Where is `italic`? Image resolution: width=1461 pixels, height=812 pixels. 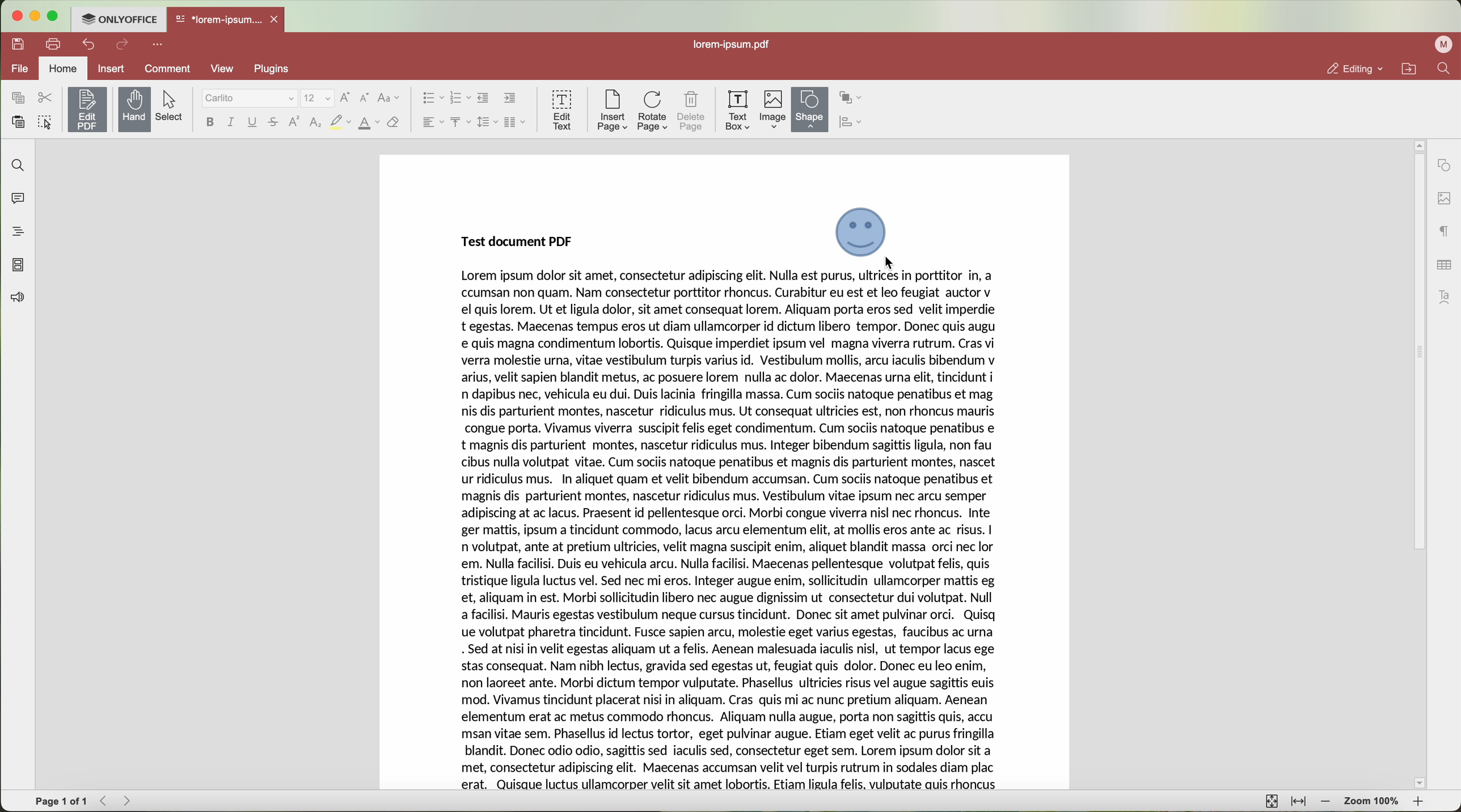
italic is located at coordinates (230, 121).